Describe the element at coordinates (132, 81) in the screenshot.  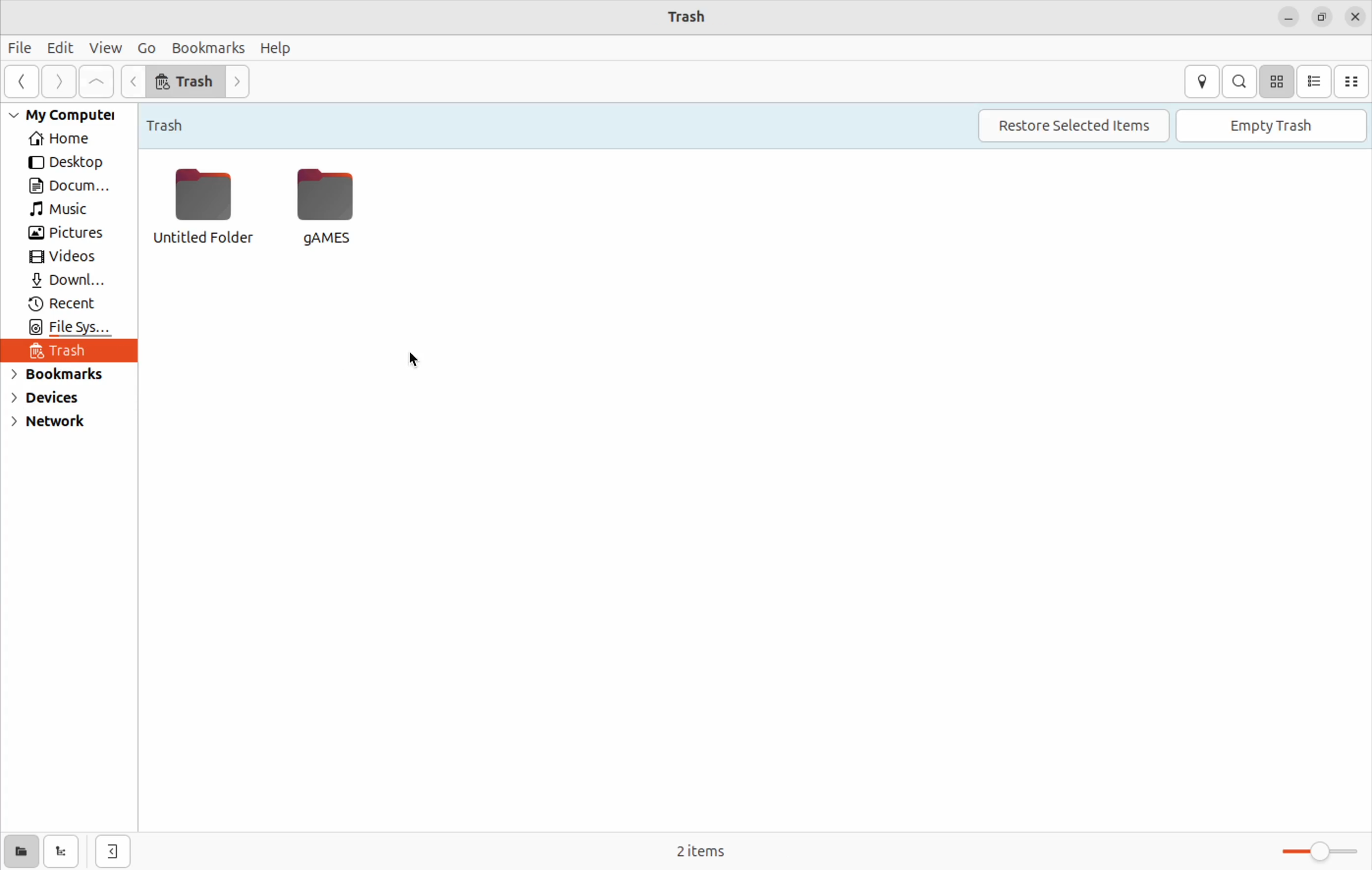
I see `back` at that location.